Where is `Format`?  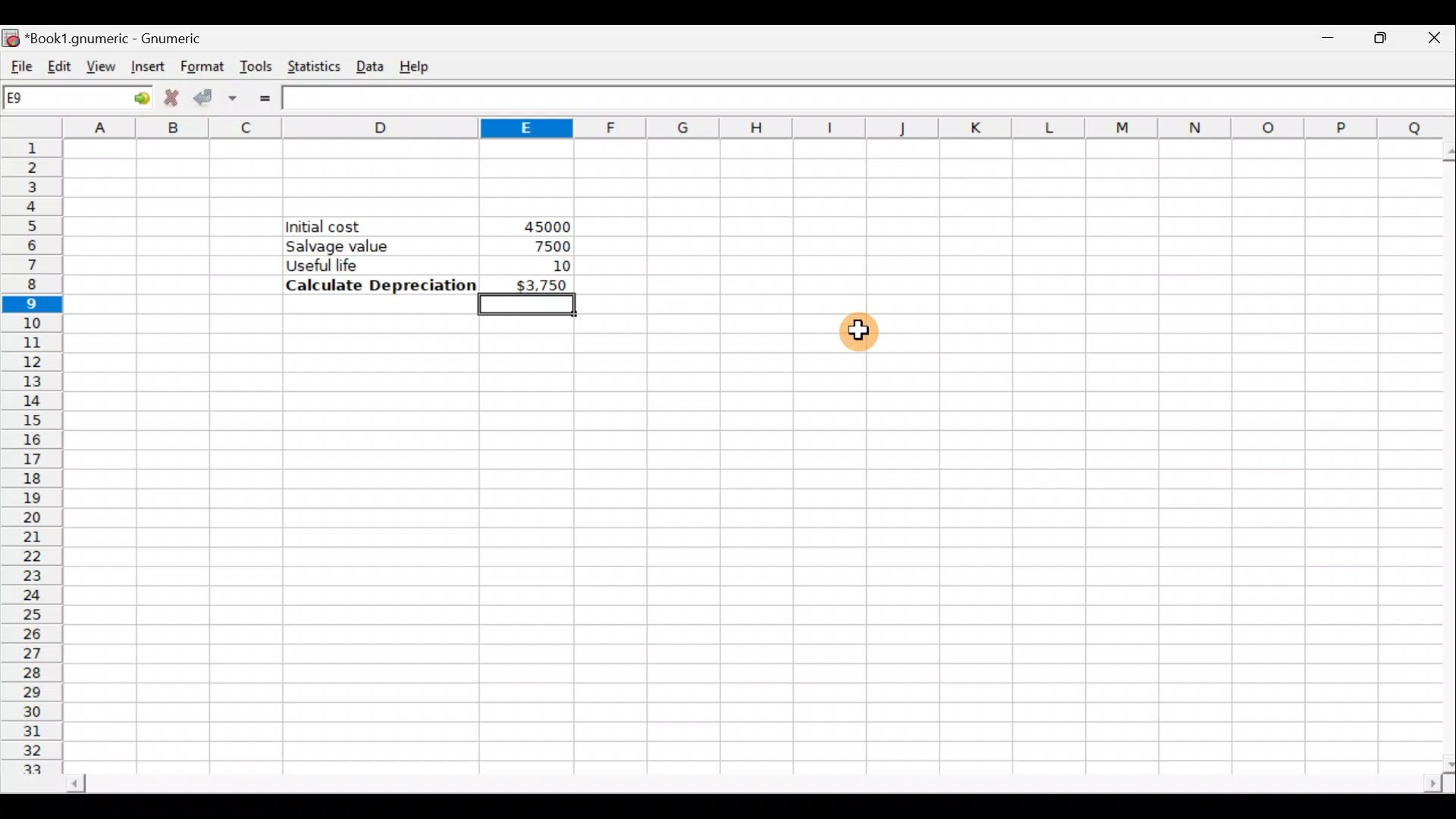 Format is located at coordinates (200, 64).